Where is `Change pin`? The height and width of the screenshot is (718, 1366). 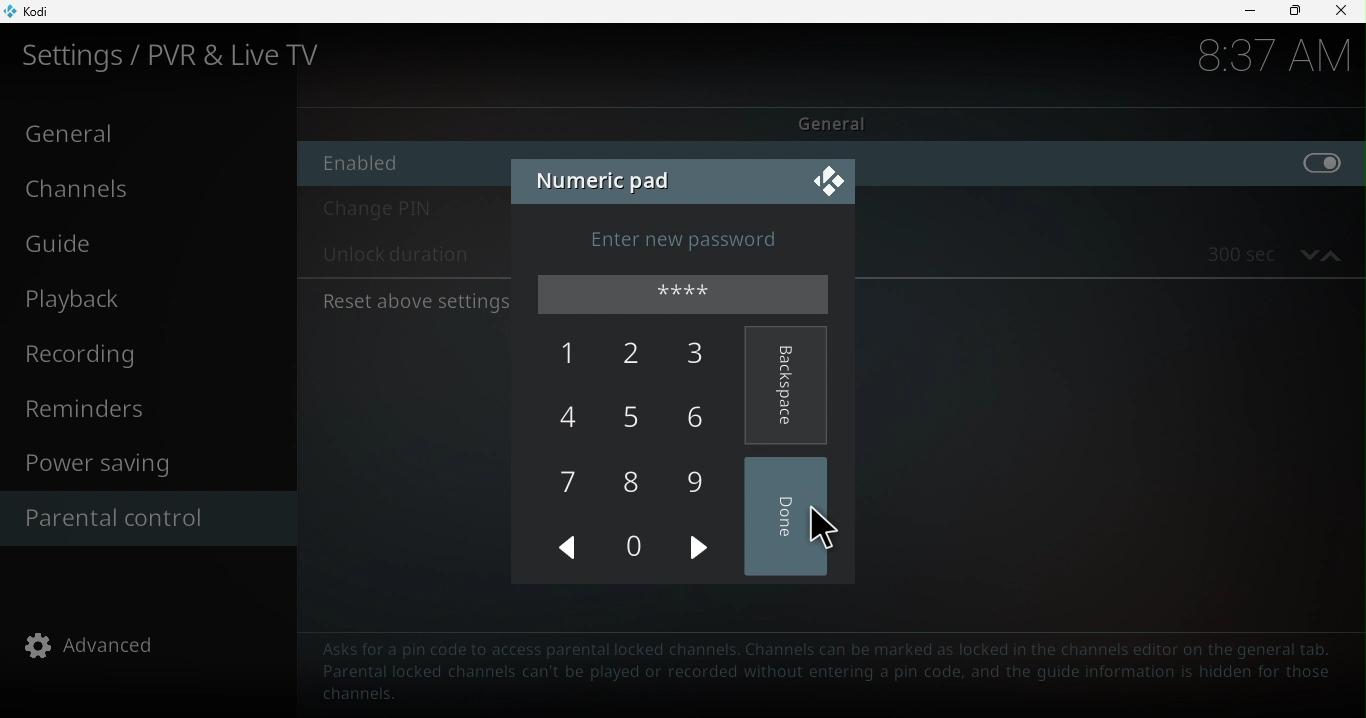 Change pin is located at coordinates (405, 212).